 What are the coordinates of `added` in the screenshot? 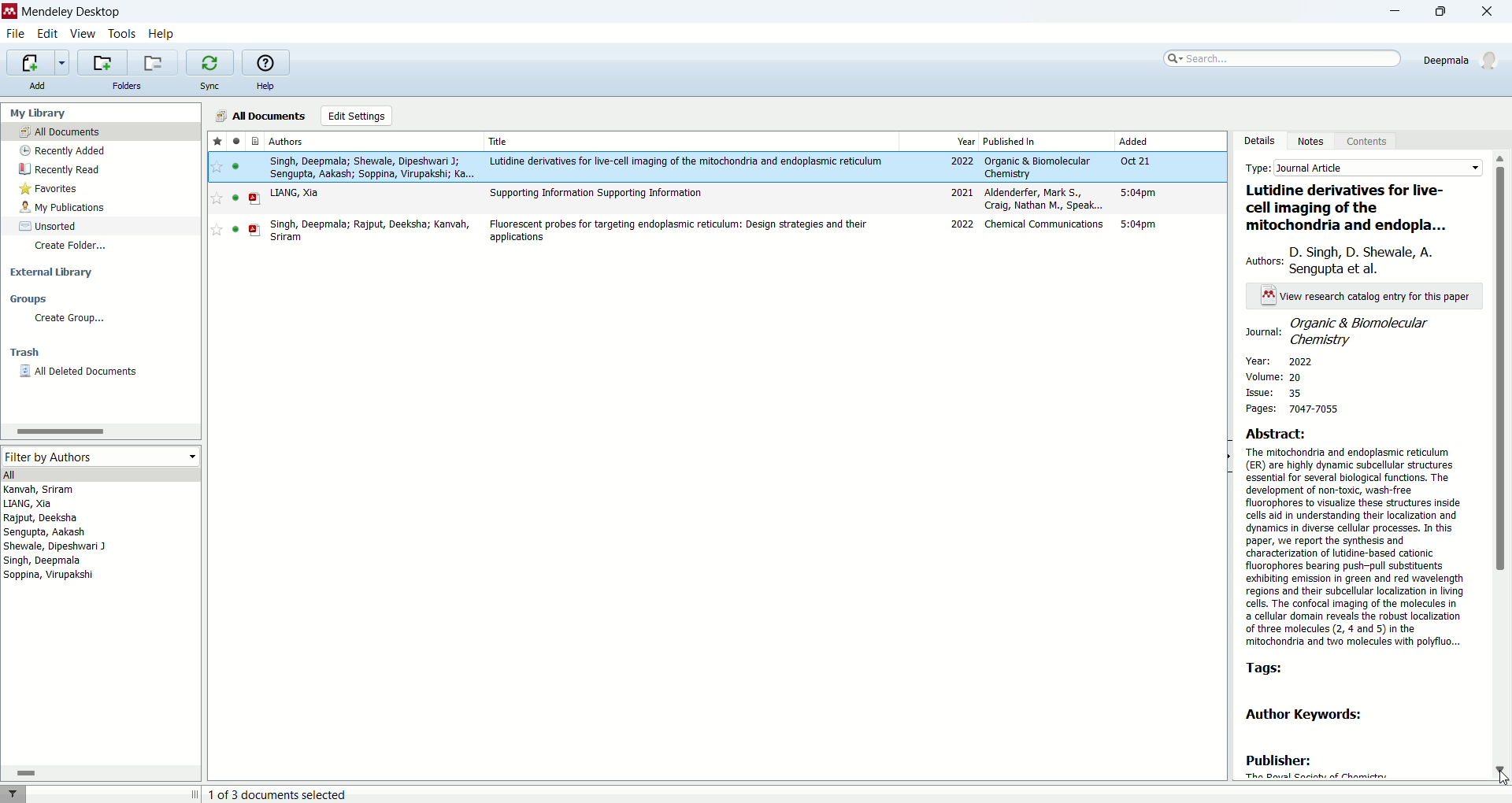 It's located at (1134, 140).